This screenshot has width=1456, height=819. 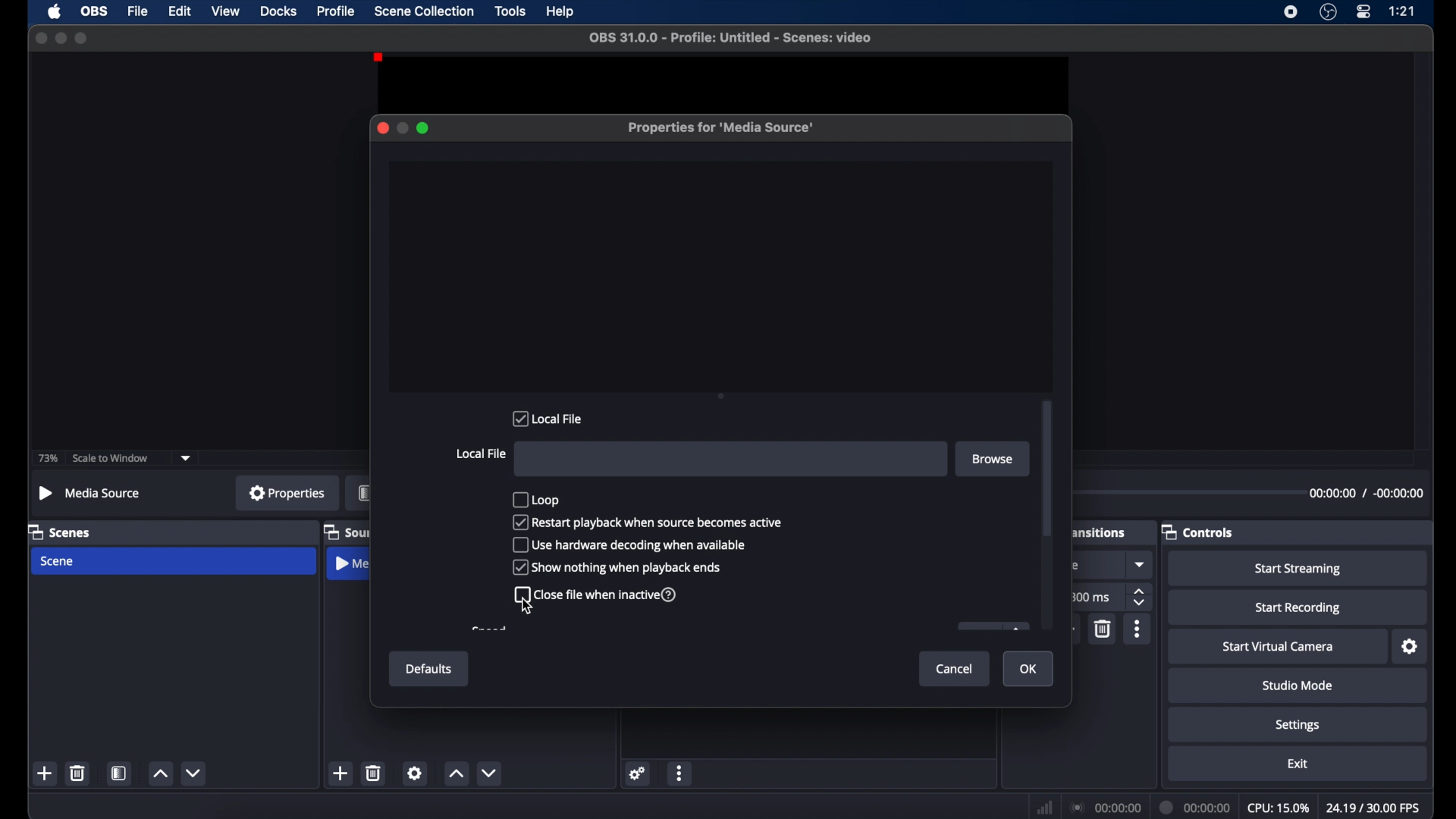 What do you see at coordinates (119, 775) in the screenshot?
I see `scene filters` at bounding box center [119, 775].